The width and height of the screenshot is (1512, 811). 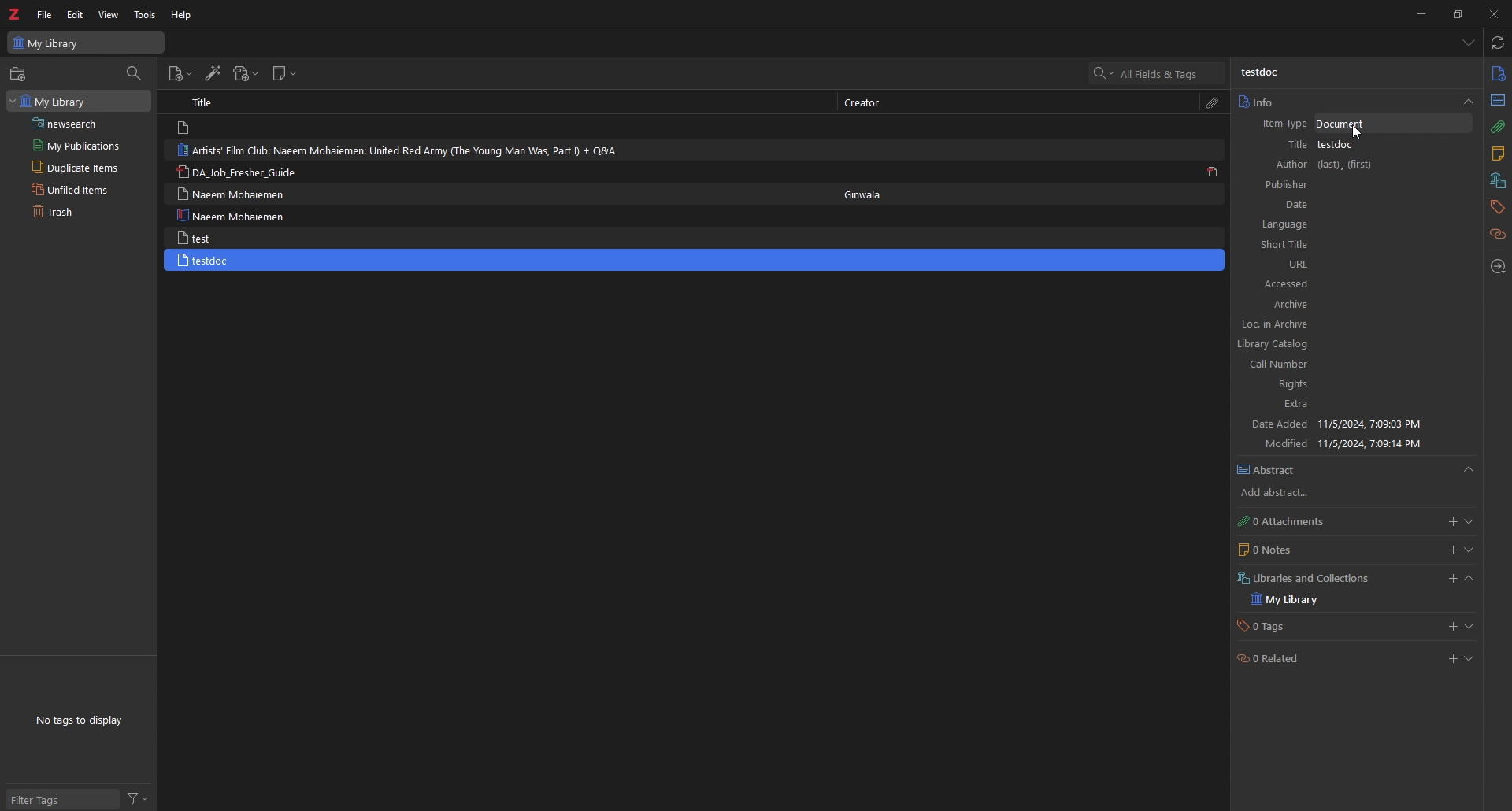 What do you see at coordinates (1280, 424) in the screenshot?
I see `Date Added` at bounding box center [1280, 424].